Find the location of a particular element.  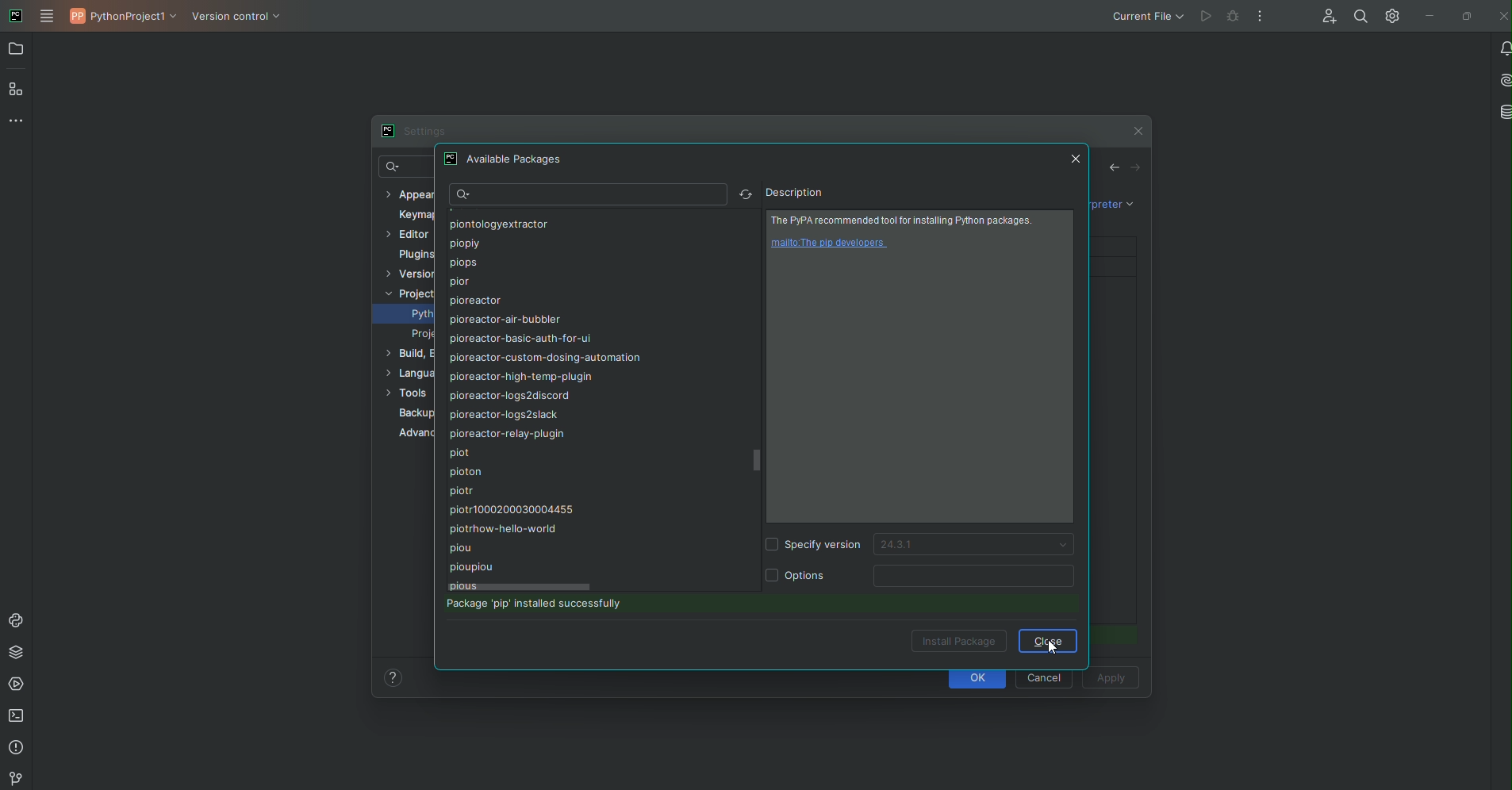

Current file is located at coordinates (1146, 17).